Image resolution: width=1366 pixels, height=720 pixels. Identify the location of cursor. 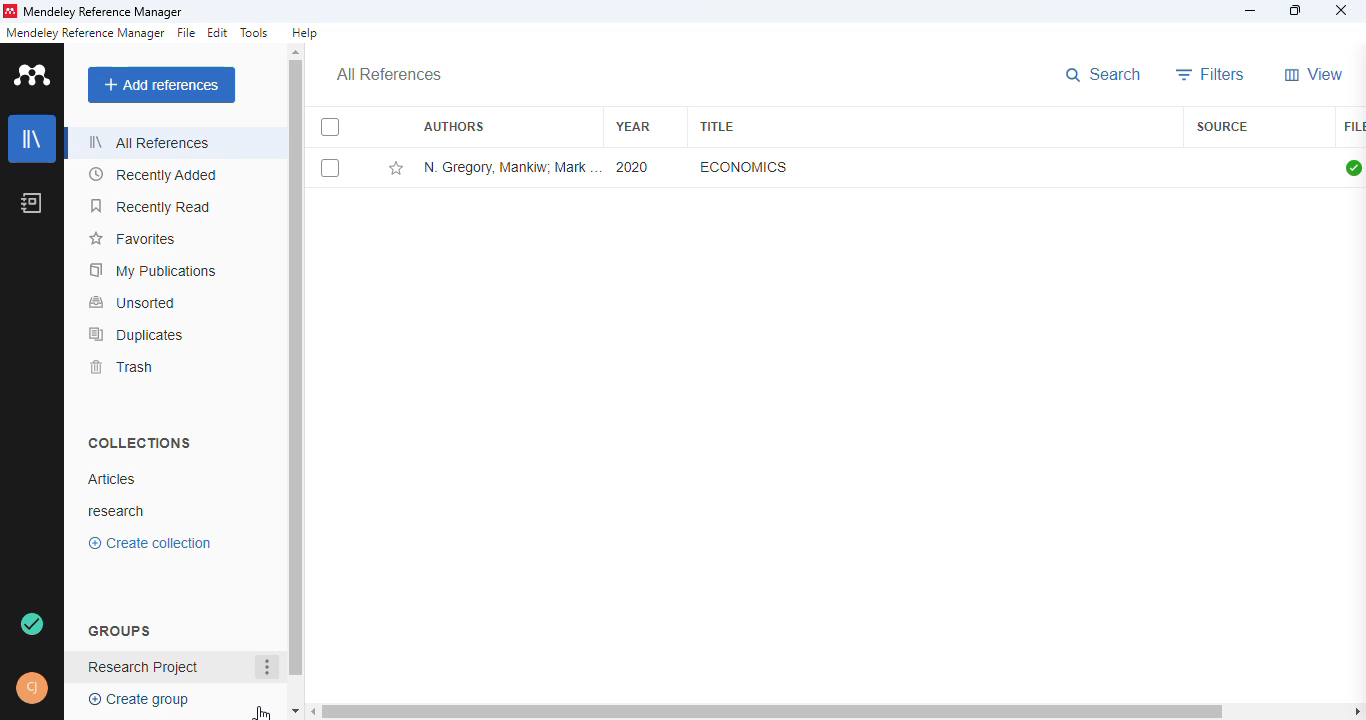
(260, 711).